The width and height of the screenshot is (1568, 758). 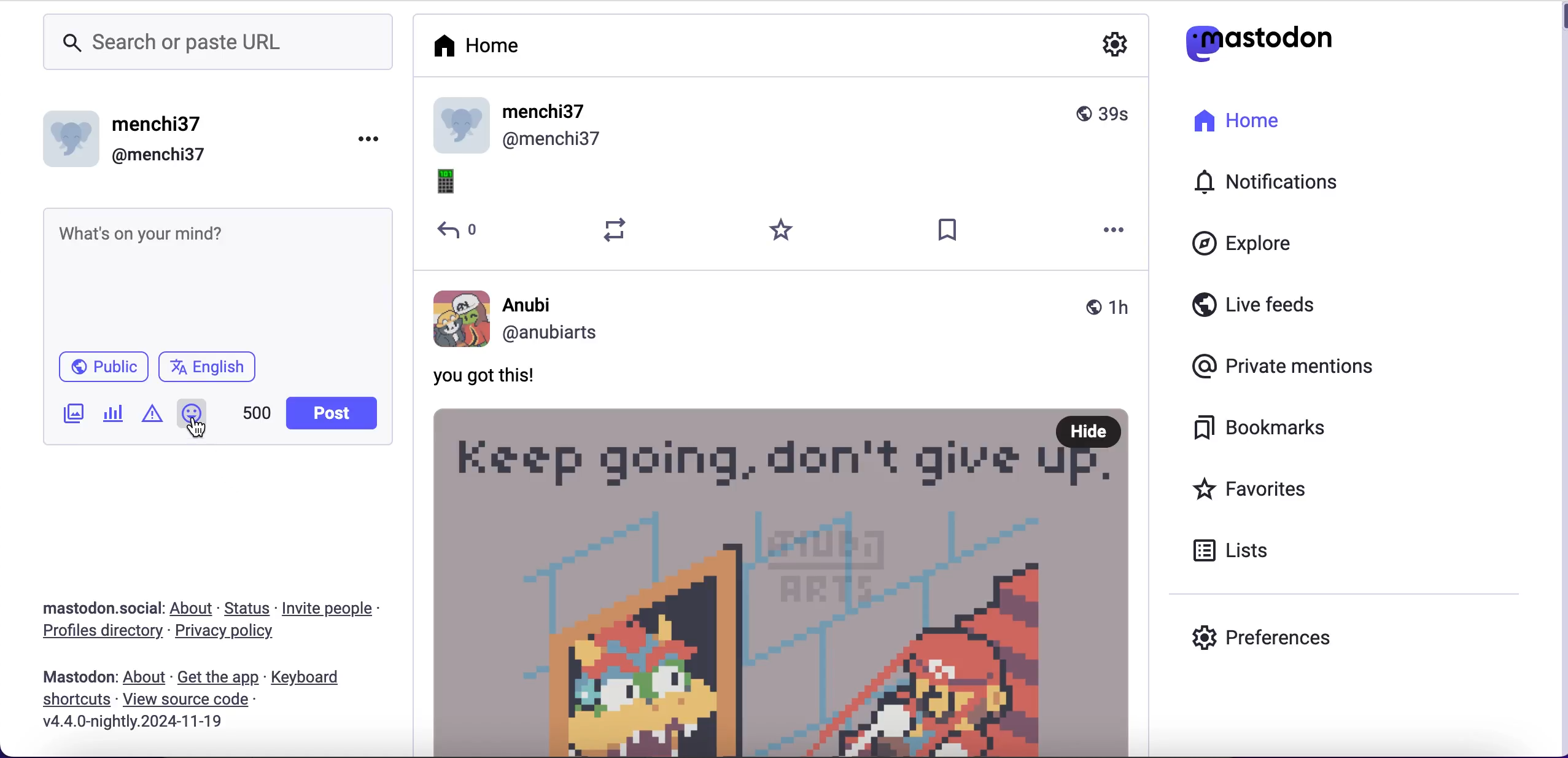 What do you see at coordinates (215, 276) in the screenshot?
I see `what's on your mind?` at bounding box center [215, 276].